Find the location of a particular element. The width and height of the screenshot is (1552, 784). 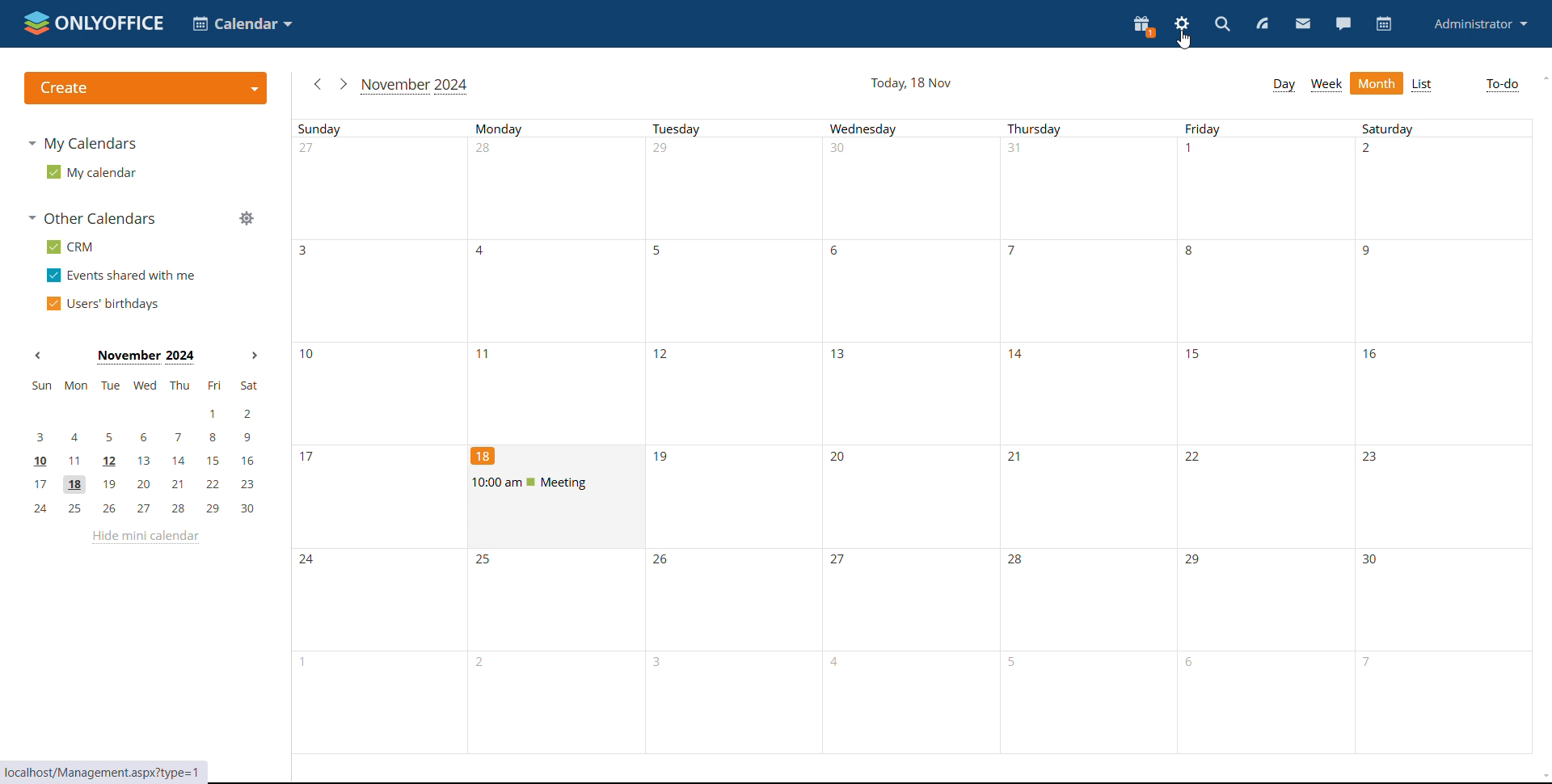

previous month is located at coordinates (38, 356).